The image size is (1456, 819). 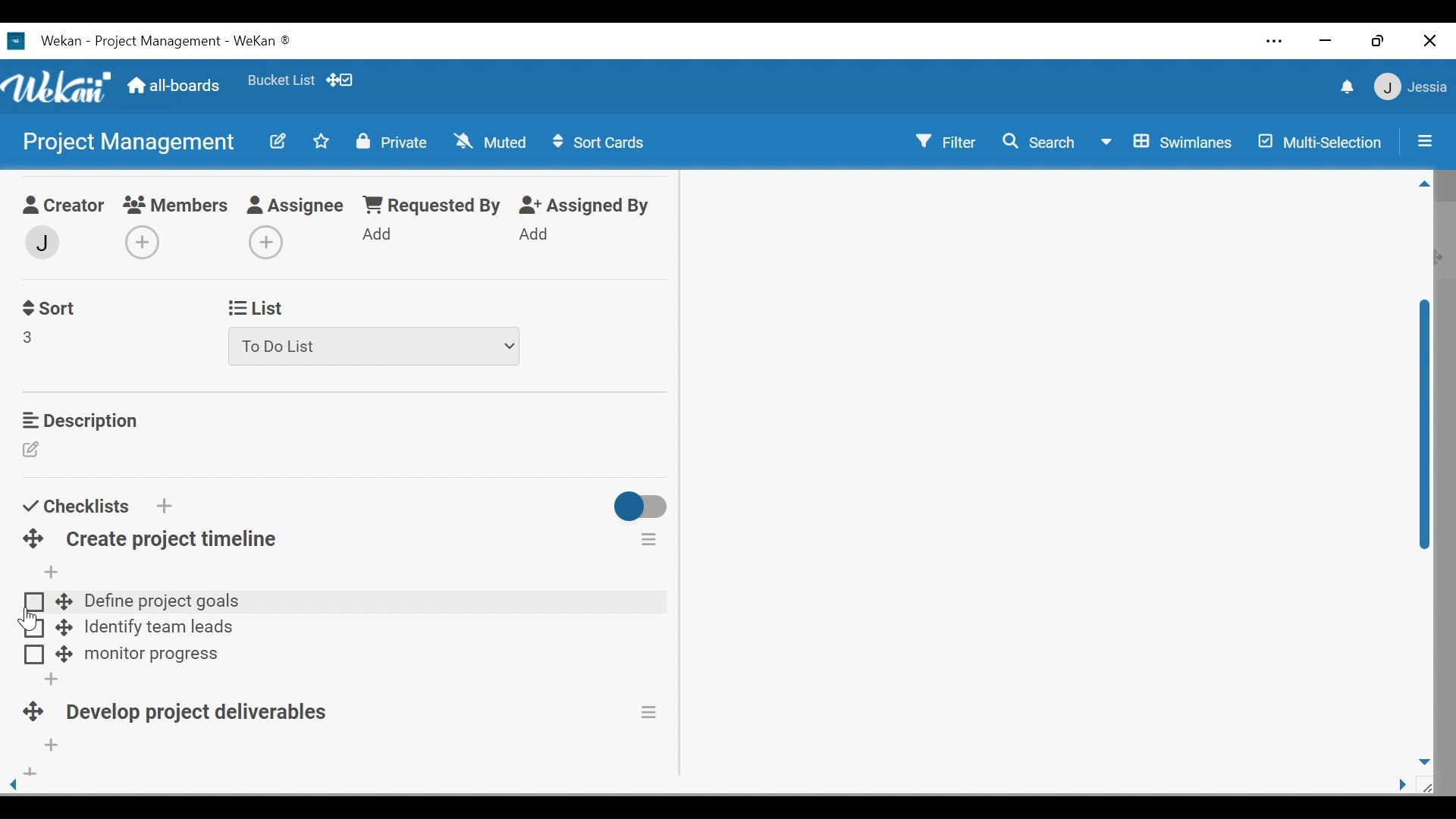 What do you see at coordinates (52, 746) in the screenshot?
I see `Add checklist item` at bounding box center [52, 746].